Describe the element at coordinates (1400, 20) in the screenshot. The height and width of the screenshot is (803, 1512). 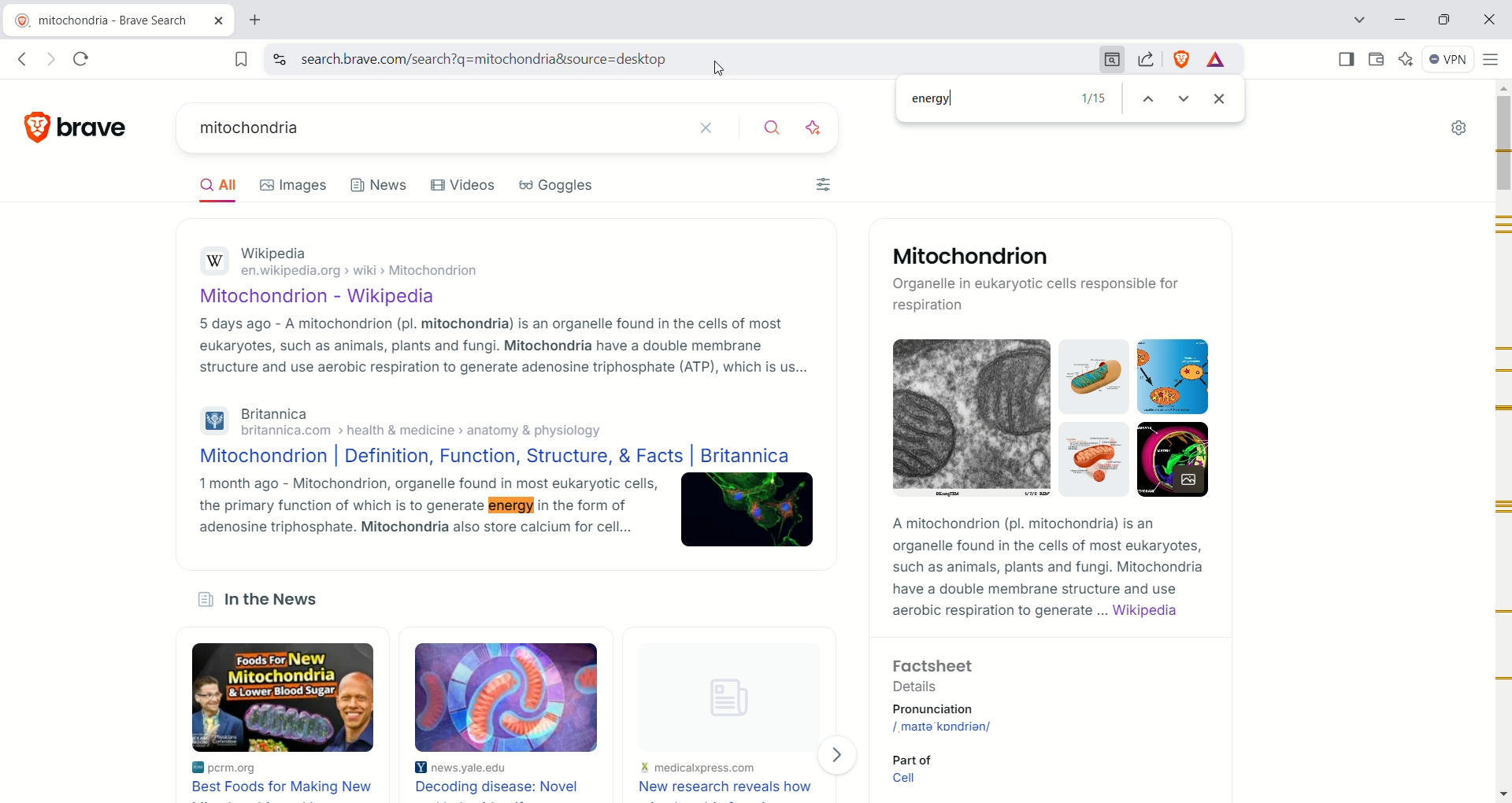
I see `minimize` at that location.